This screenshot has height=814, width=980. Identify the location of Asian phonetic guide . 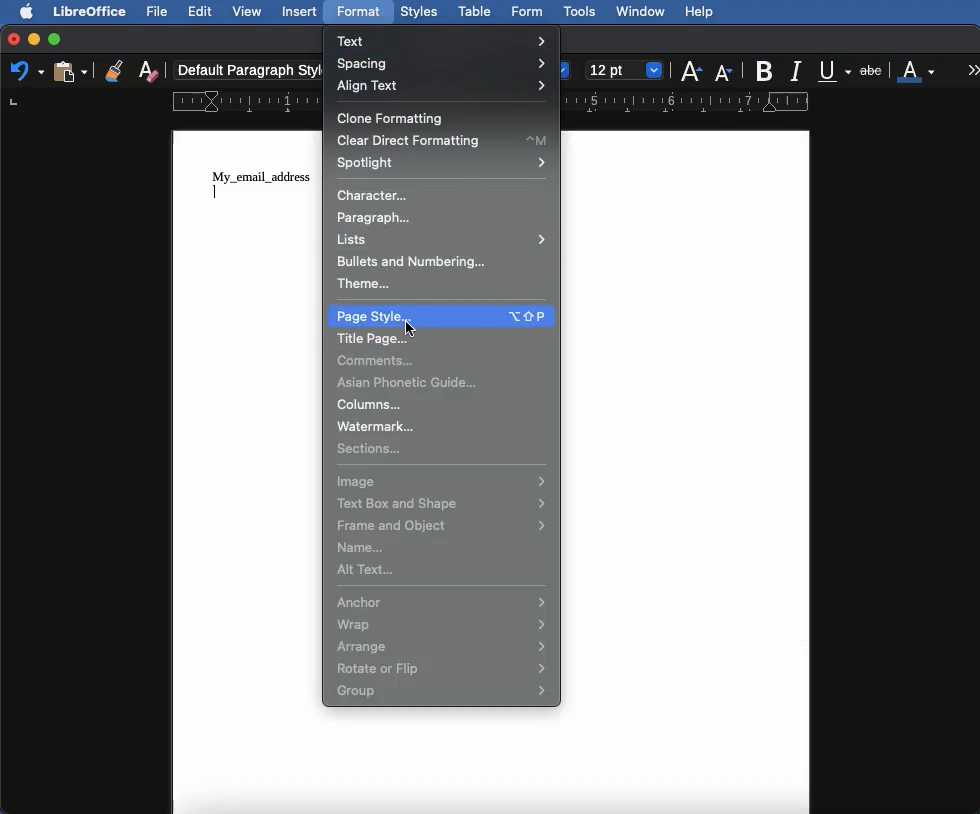
(412, 382).